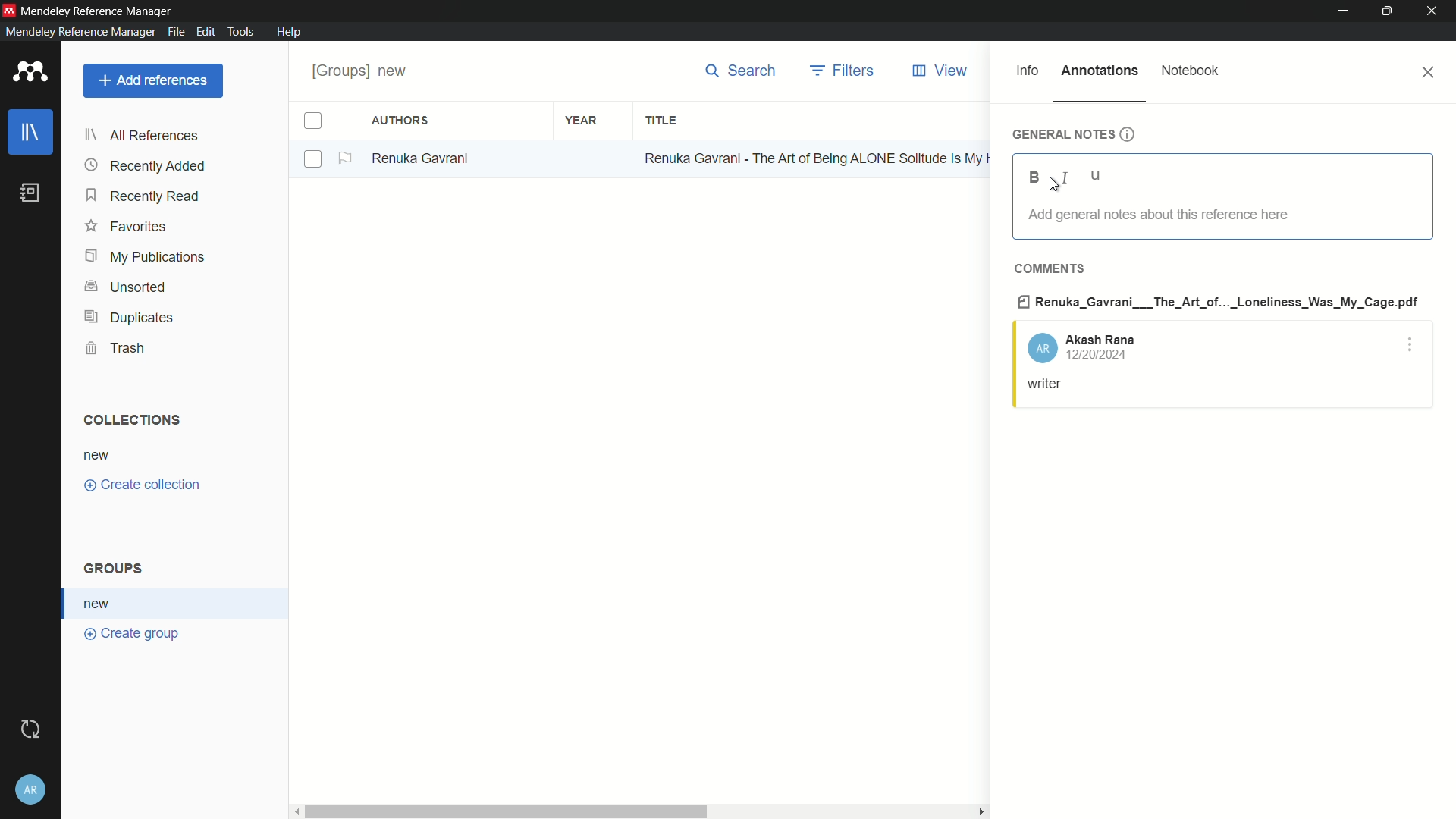 The height and width of the screenshot is (819, 1456). What do you see at coordinates (146, 166) in the screenshot?
I see `recently added` at bounding box center [146, 166].